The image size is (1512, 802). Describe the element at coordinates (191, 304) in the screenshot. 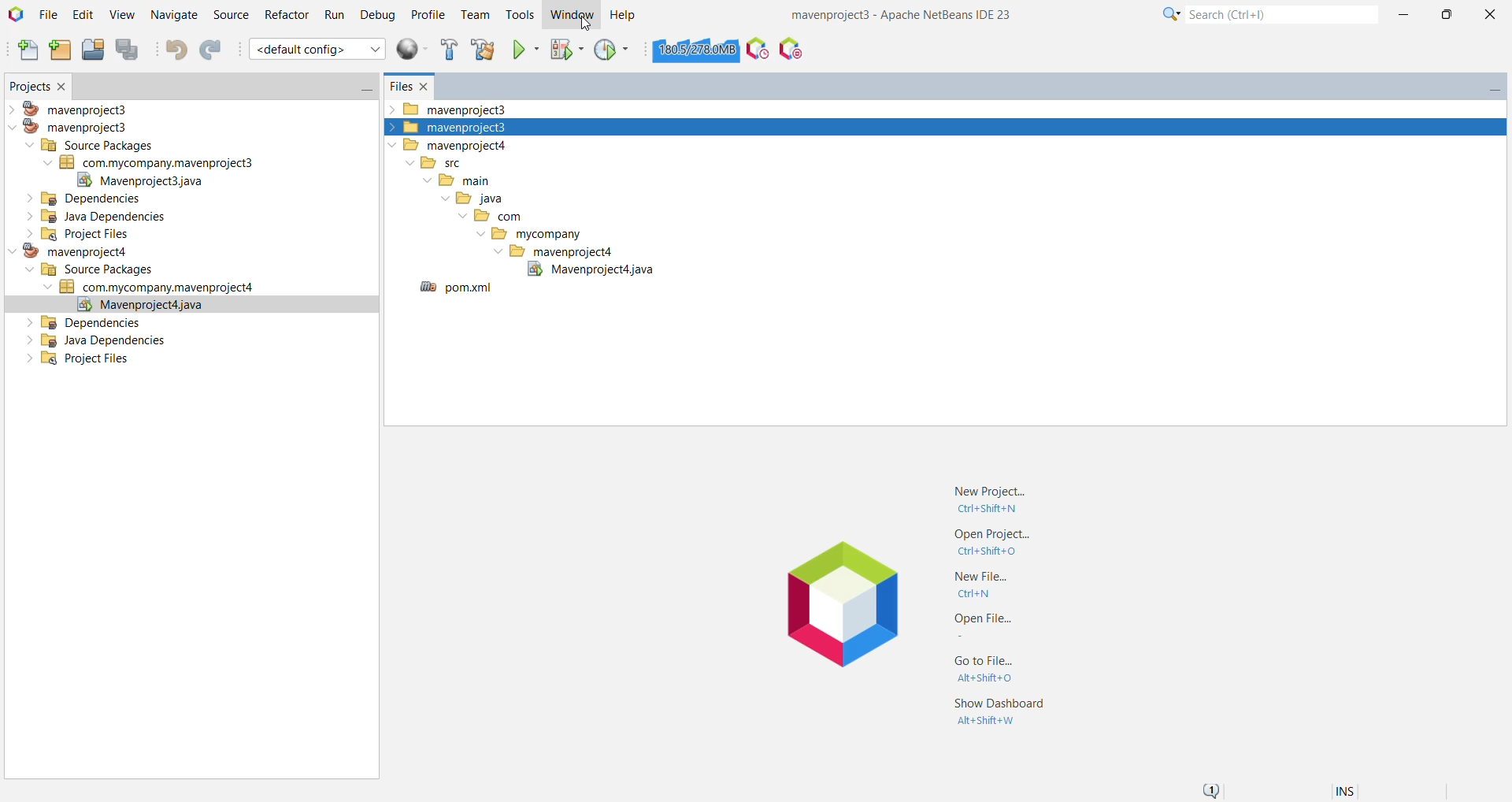

I see `Mavenproject.java` at that location.